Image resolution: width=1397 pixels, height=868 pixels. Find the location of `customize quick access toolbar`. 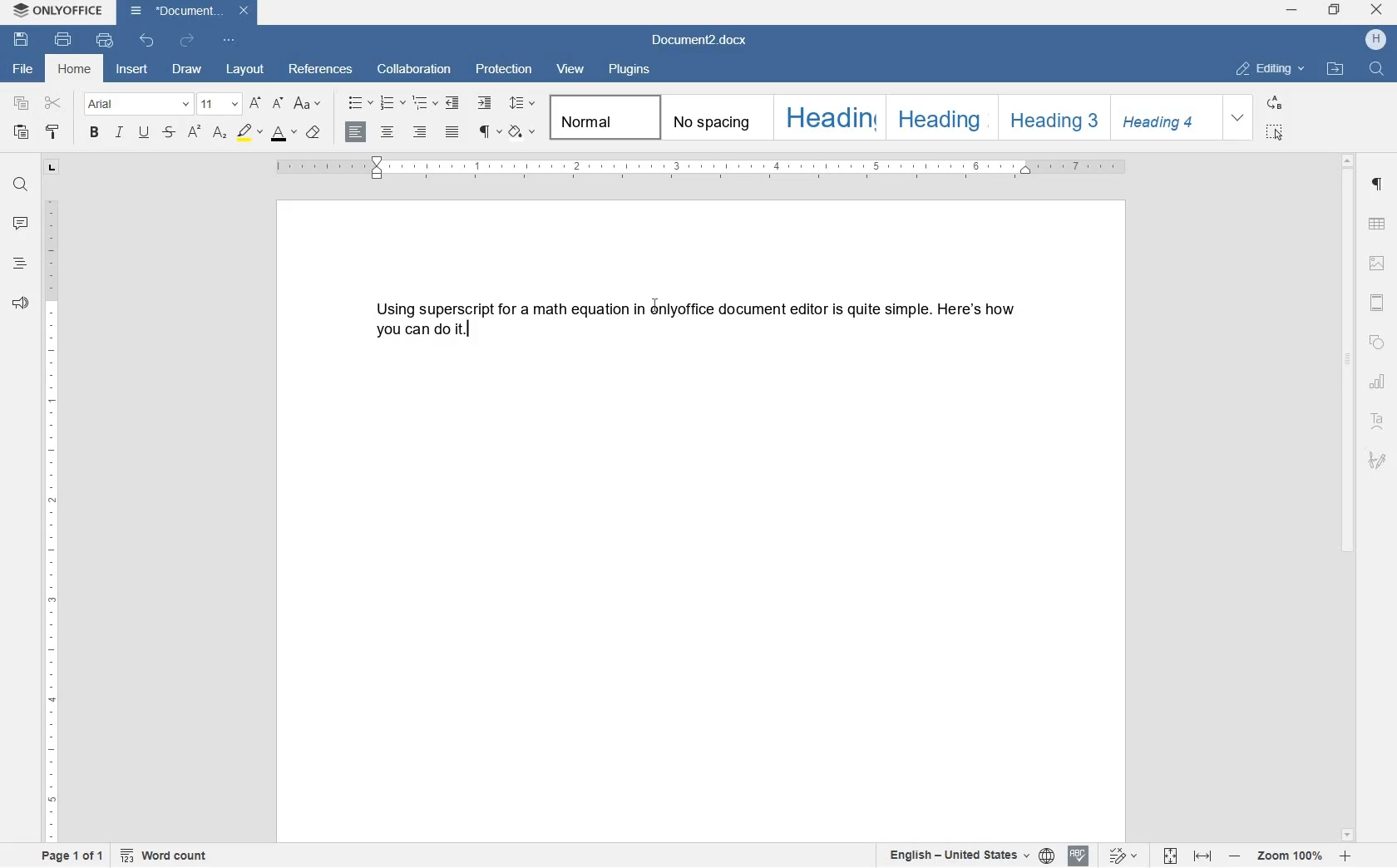

customize quick access toolbar is located at coordinates (227, 40).